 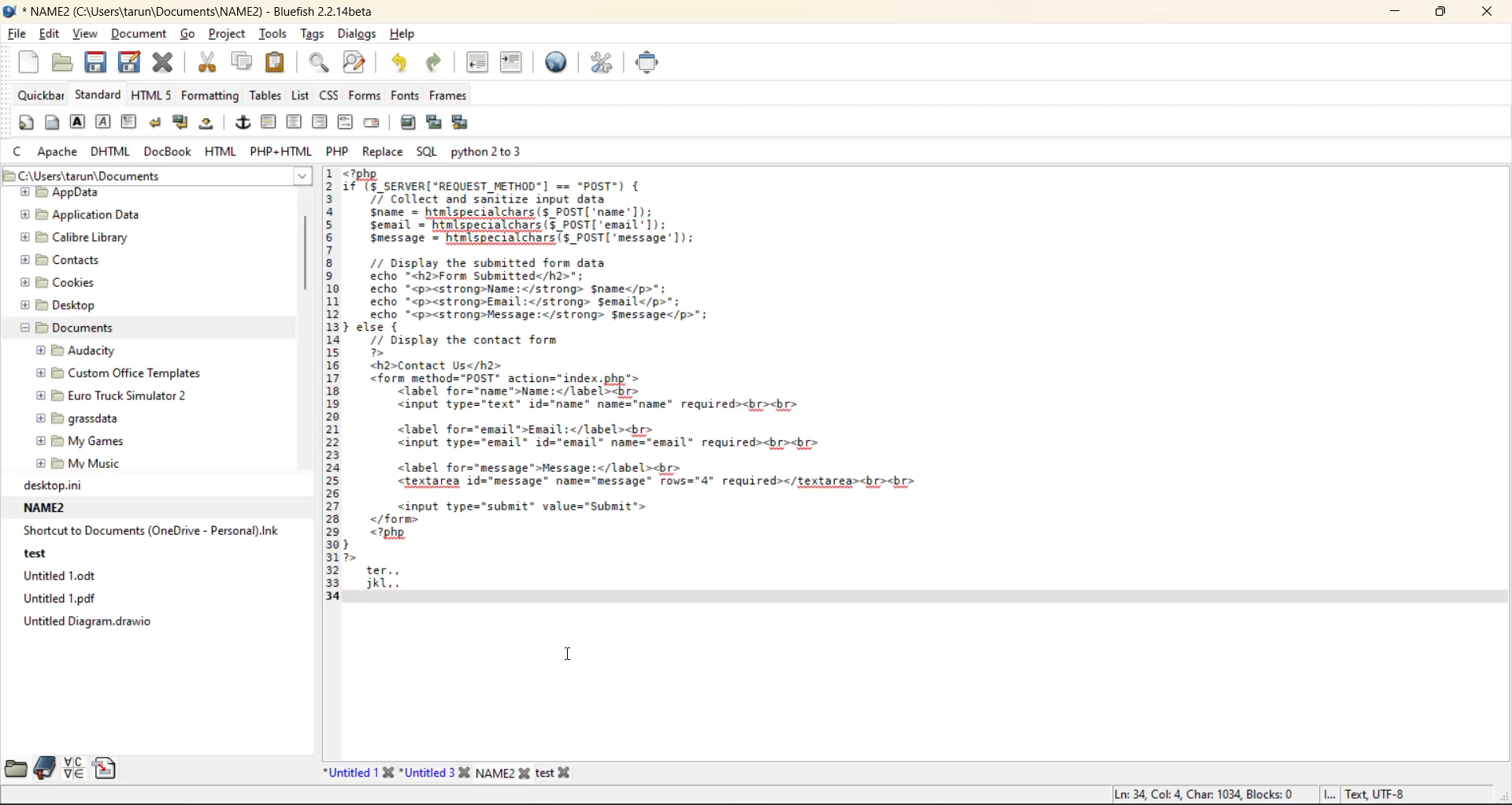 What do you see at coordinates (320, 121) in the screenshot?
I see `right justify` at bounding box center [320, 121].